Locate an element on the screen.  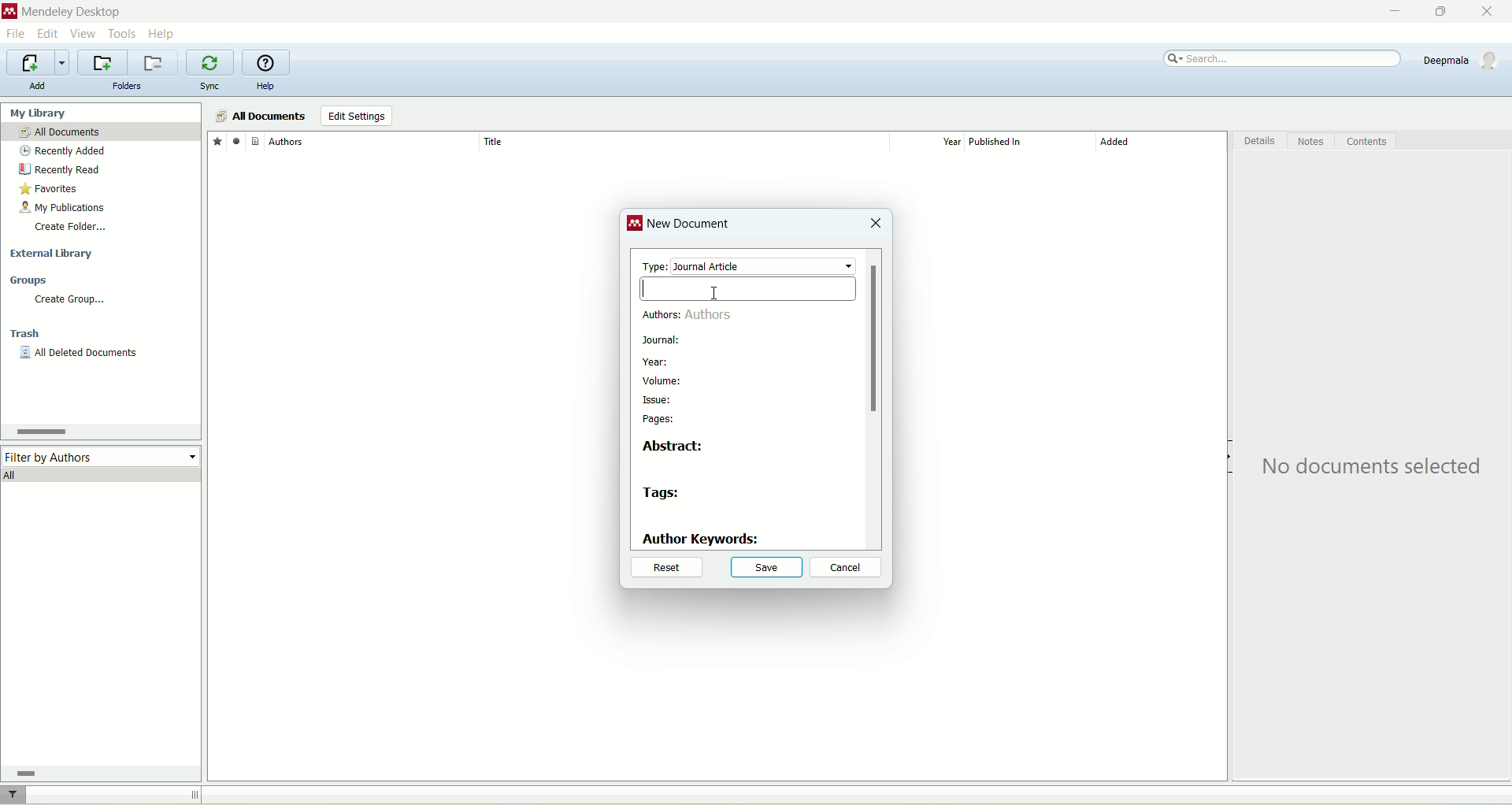
help is located at coordinates (265, 87).